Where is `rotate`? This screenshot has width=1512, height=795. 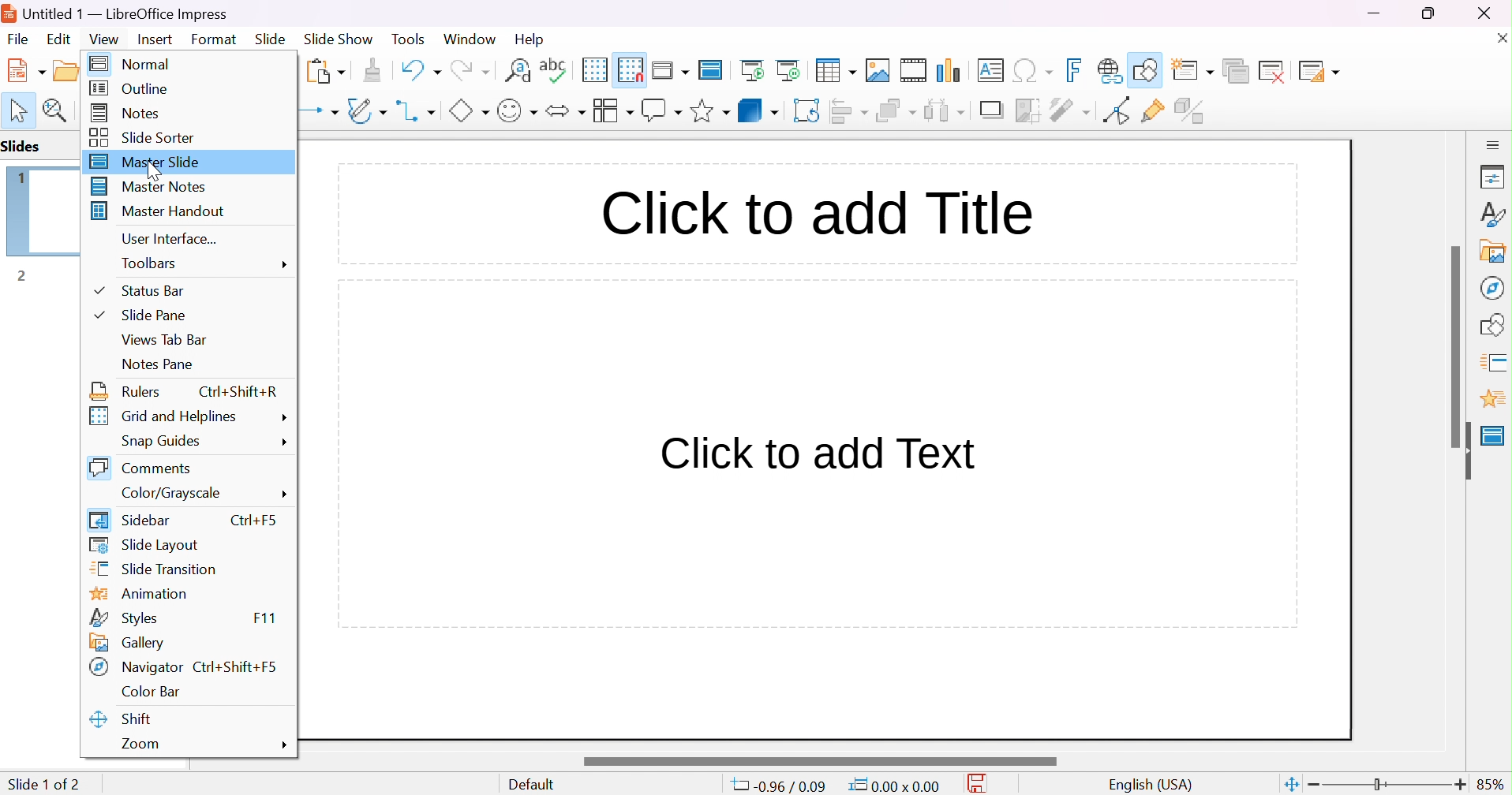 rotate is located at coordinates (808, 110).